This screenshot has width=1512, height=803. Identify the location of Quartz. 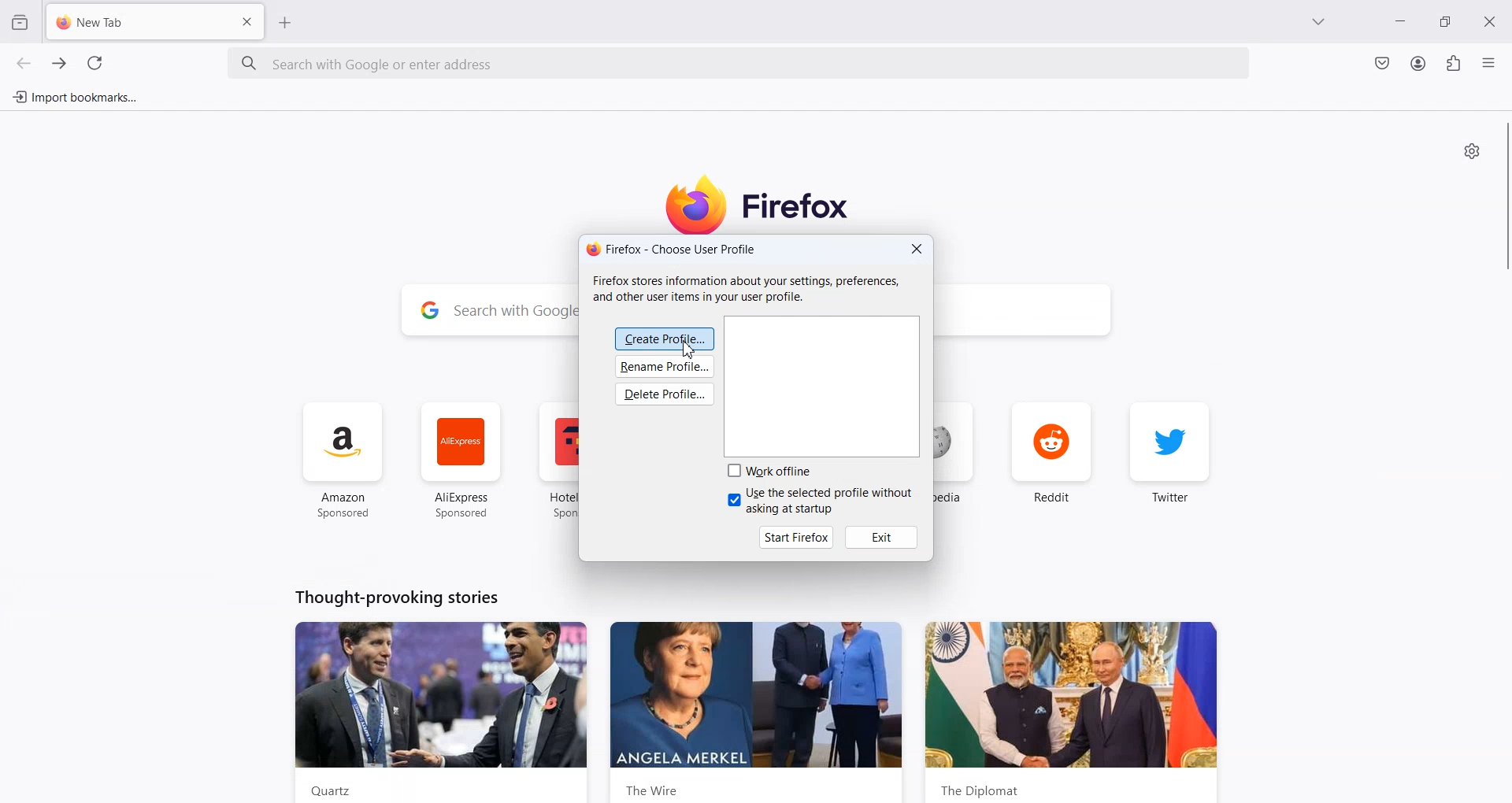
(444, 711).